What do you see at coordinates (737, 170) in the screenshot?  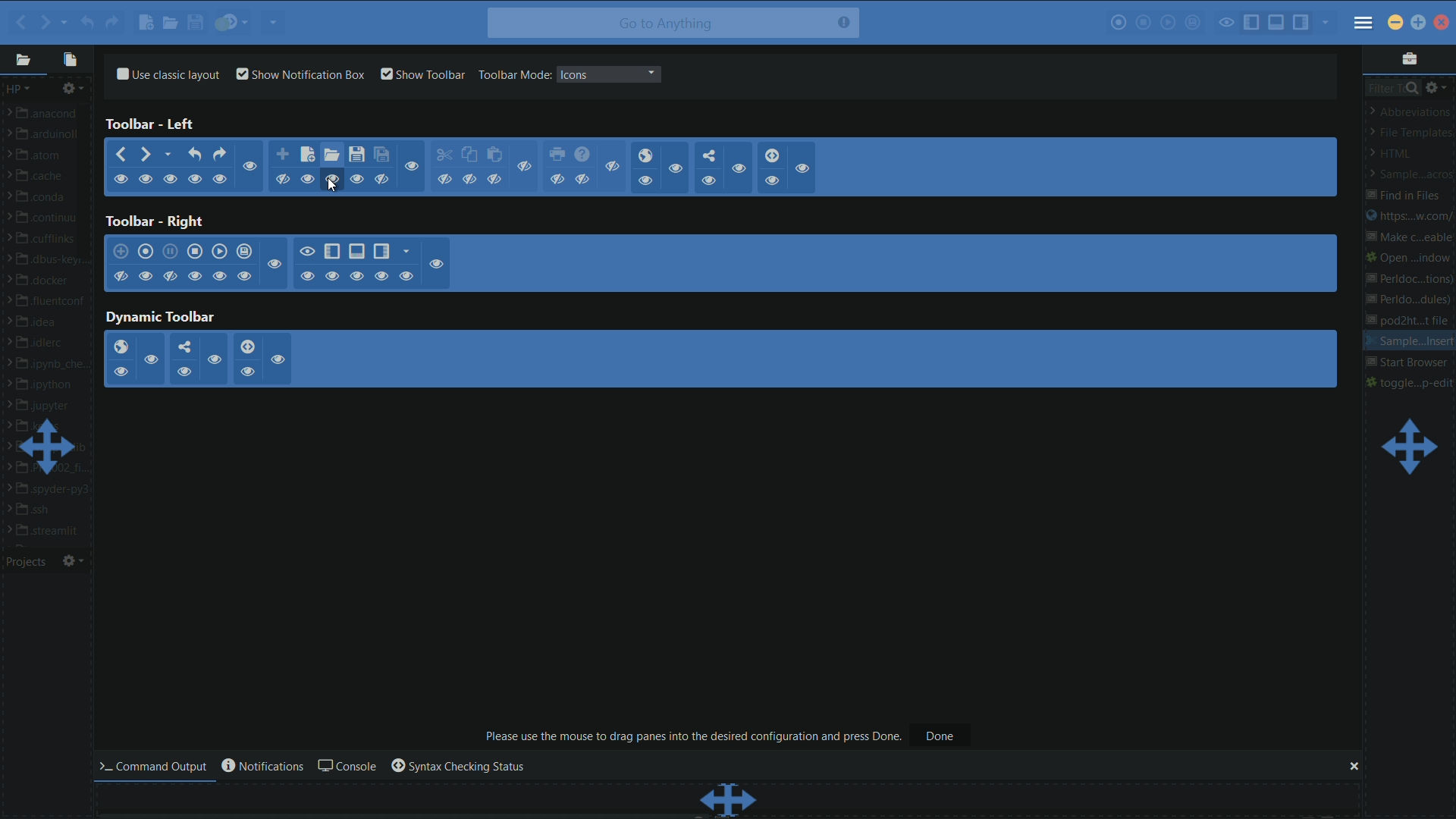 I see `show/hide` at bounding box center [737, 170].